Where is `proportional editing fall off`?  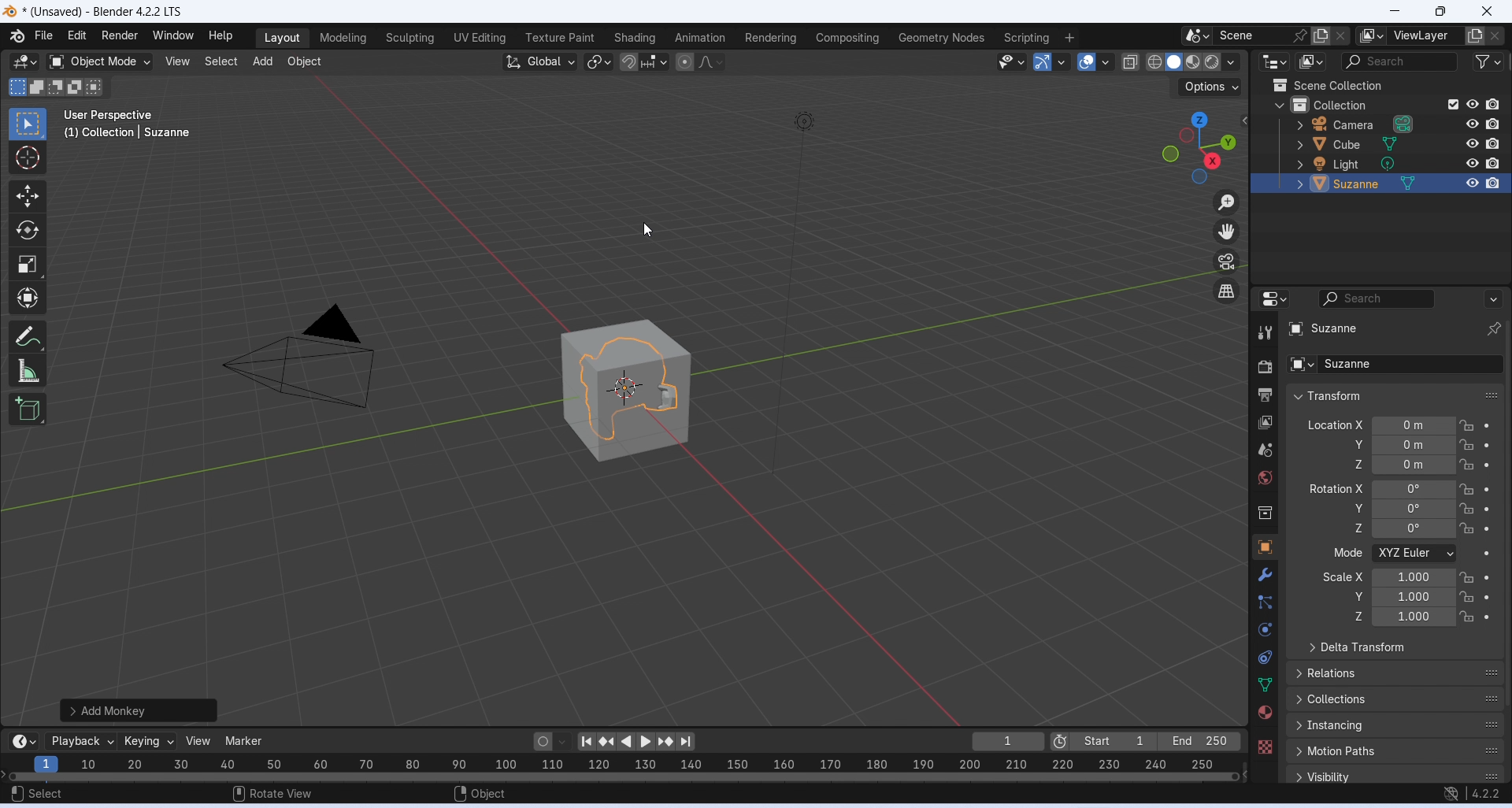 proportional editing fall off is located at coordinates (712, 61).